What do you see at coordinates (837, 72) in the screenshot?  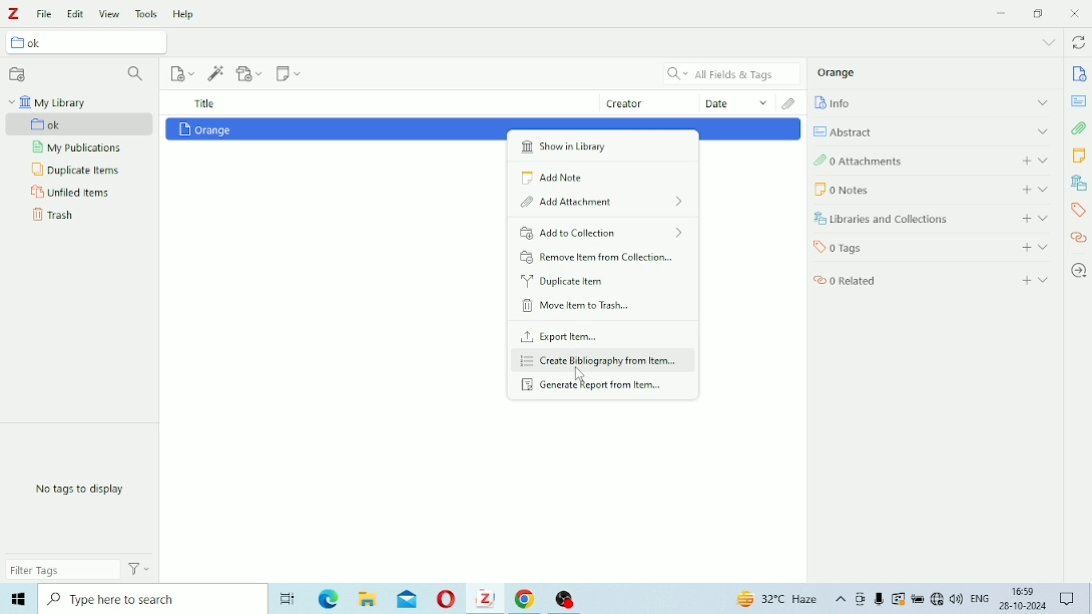 I see `Orange` at bounding box center [837, 72].